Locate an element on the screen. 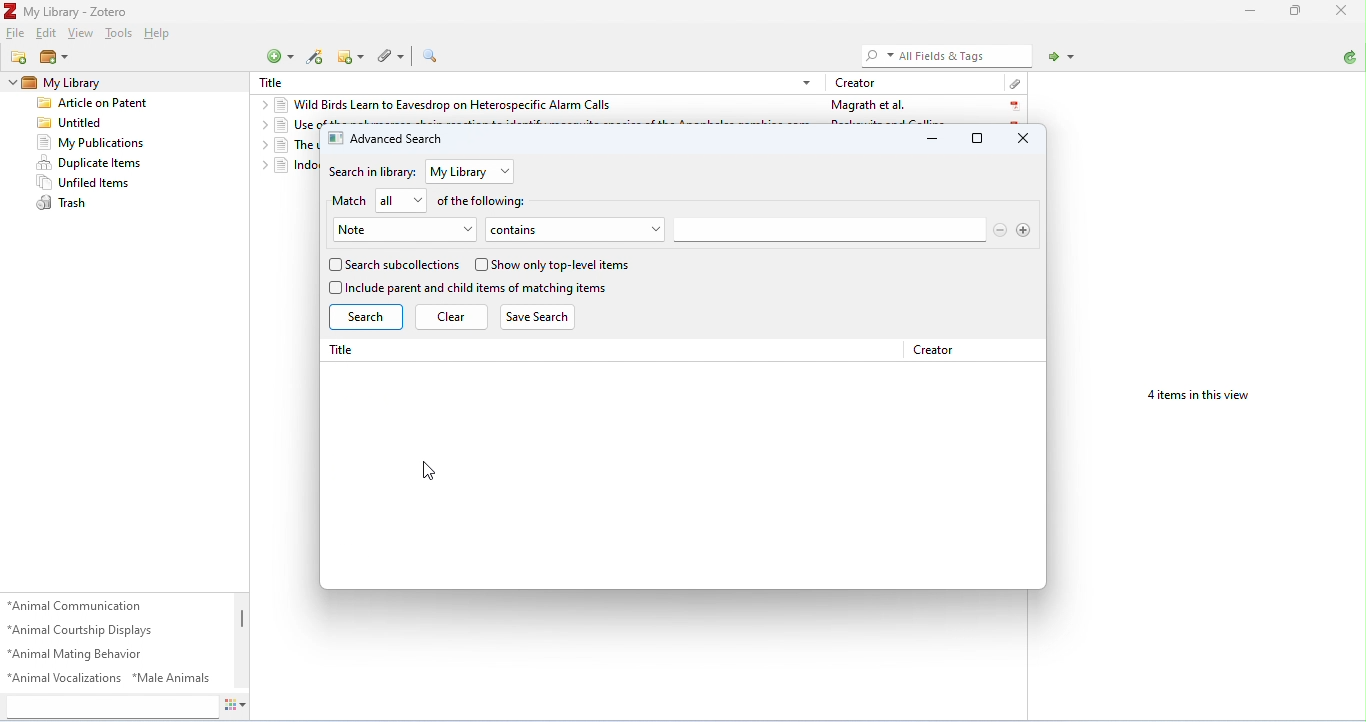 The width and height of the screenshot is (1366, 722). add attachment is located at coordinates (392, 57).